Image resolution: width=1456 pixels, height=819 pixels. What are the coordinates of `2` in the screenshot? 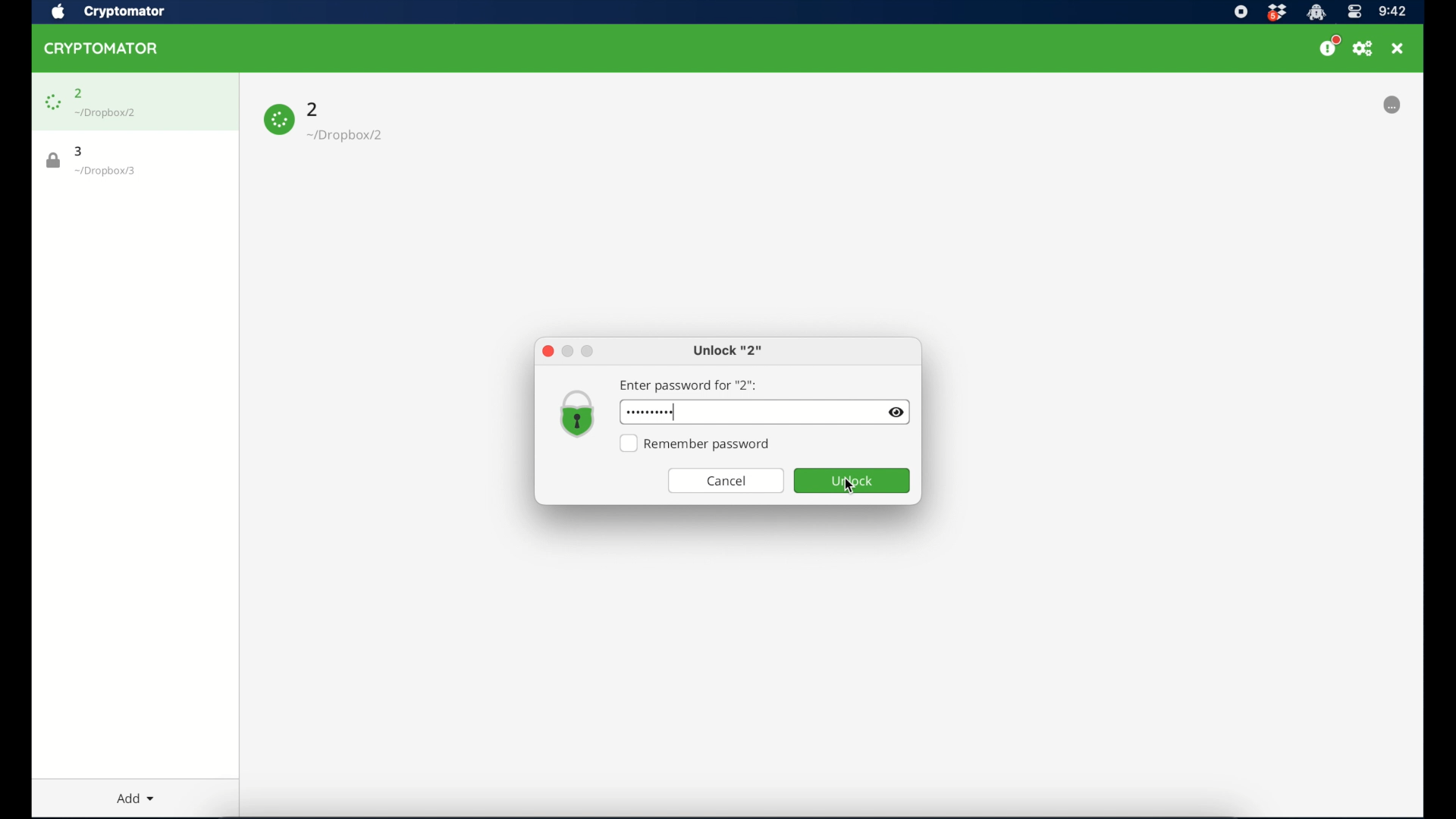 It's located at (79, 93).